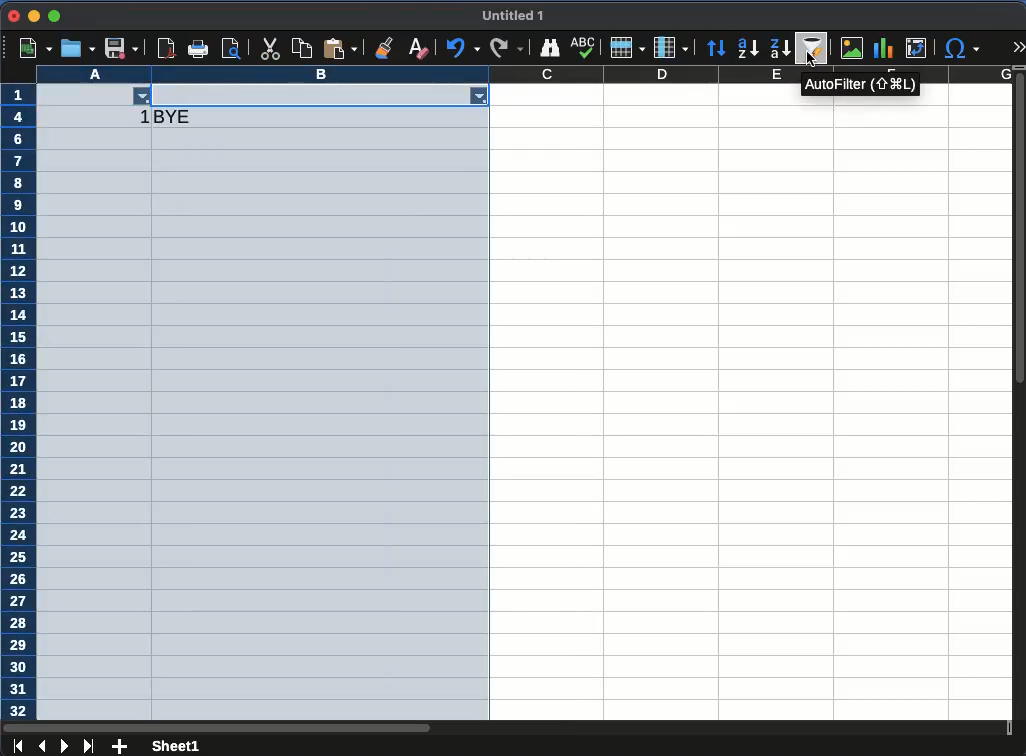 This screenshot has width=1026, height=756. Describe the element at coordinates (56, 16) in the screenshot. I see `maximize` at that location.